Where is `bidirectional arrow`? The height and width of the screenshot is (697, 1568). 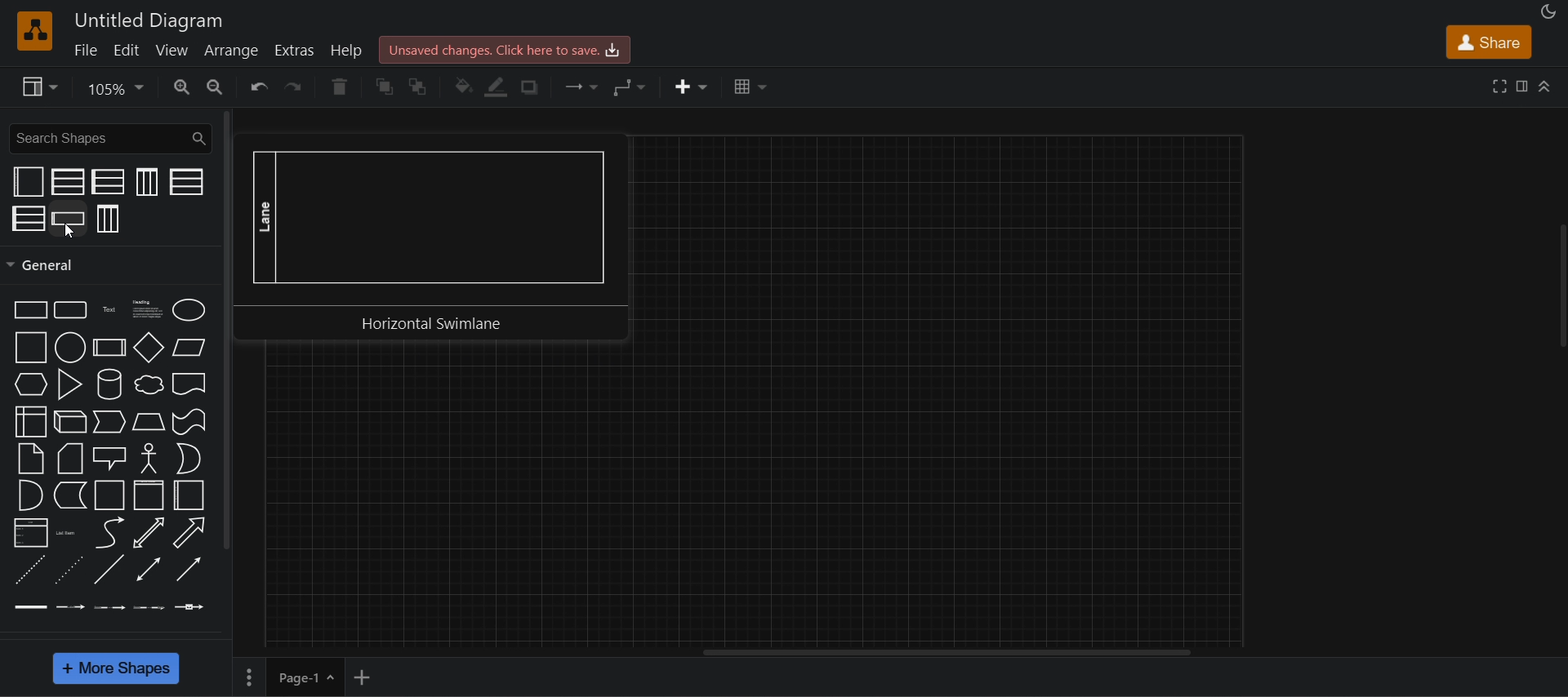
bidirectional arrow is located at coordinates (147, 533).